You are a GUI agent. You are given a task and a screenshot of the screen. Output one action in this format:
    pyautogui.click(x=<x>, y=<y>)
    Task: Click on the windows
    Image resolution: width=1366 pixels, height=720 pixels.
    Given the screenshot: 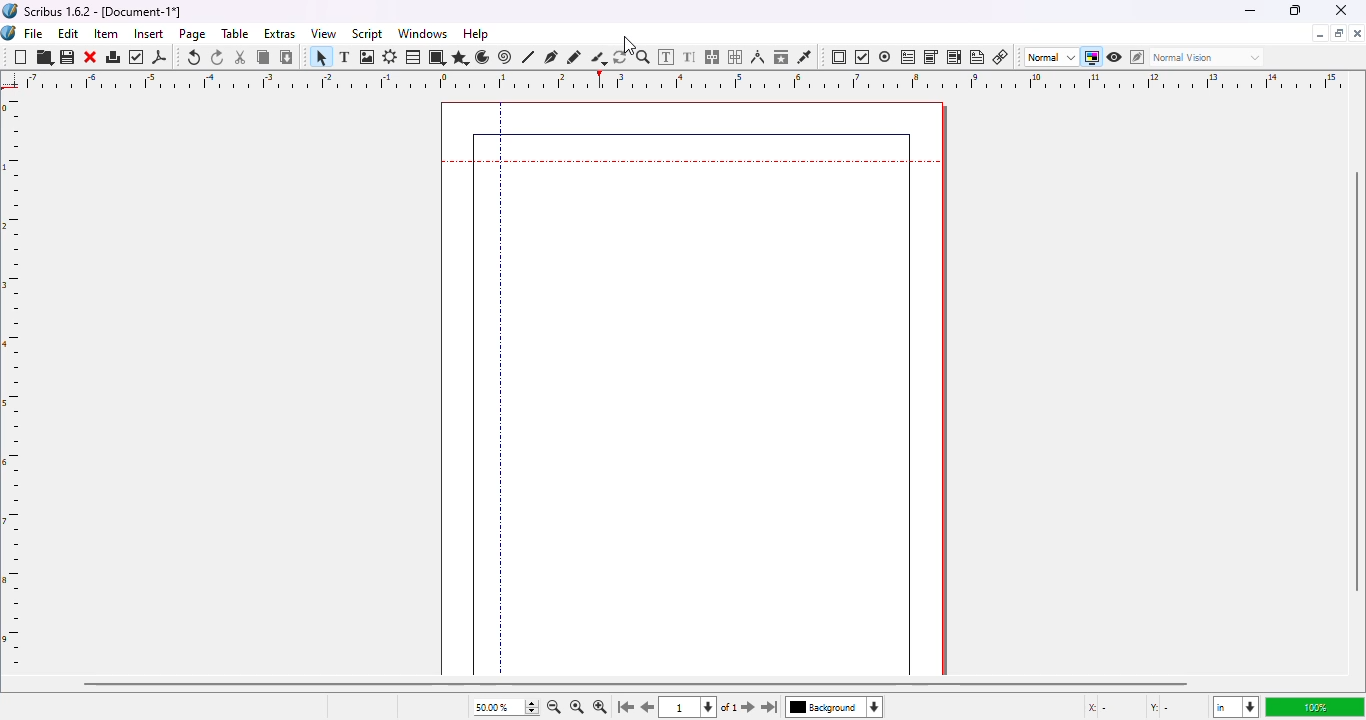 What is the action you would take?
    pyautogui.click(x=423, y=34)
    